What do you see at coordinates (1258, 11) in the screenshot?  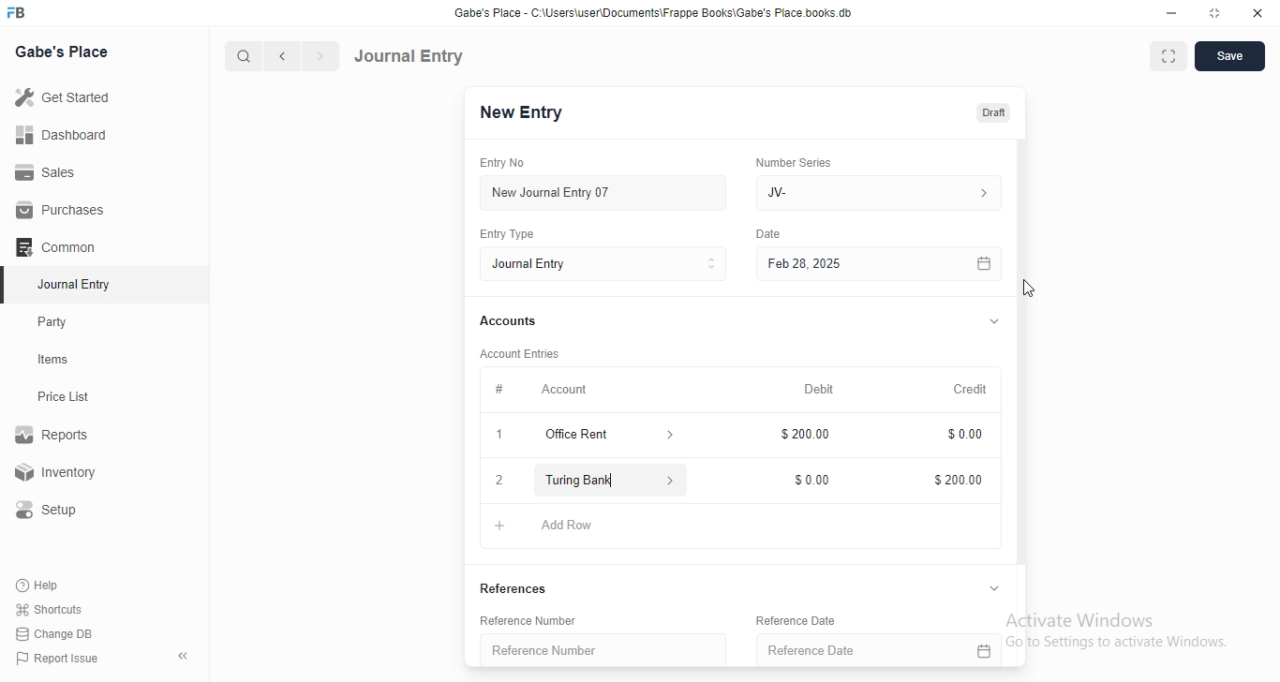 I see `close` at bounding box center [1258, 11].